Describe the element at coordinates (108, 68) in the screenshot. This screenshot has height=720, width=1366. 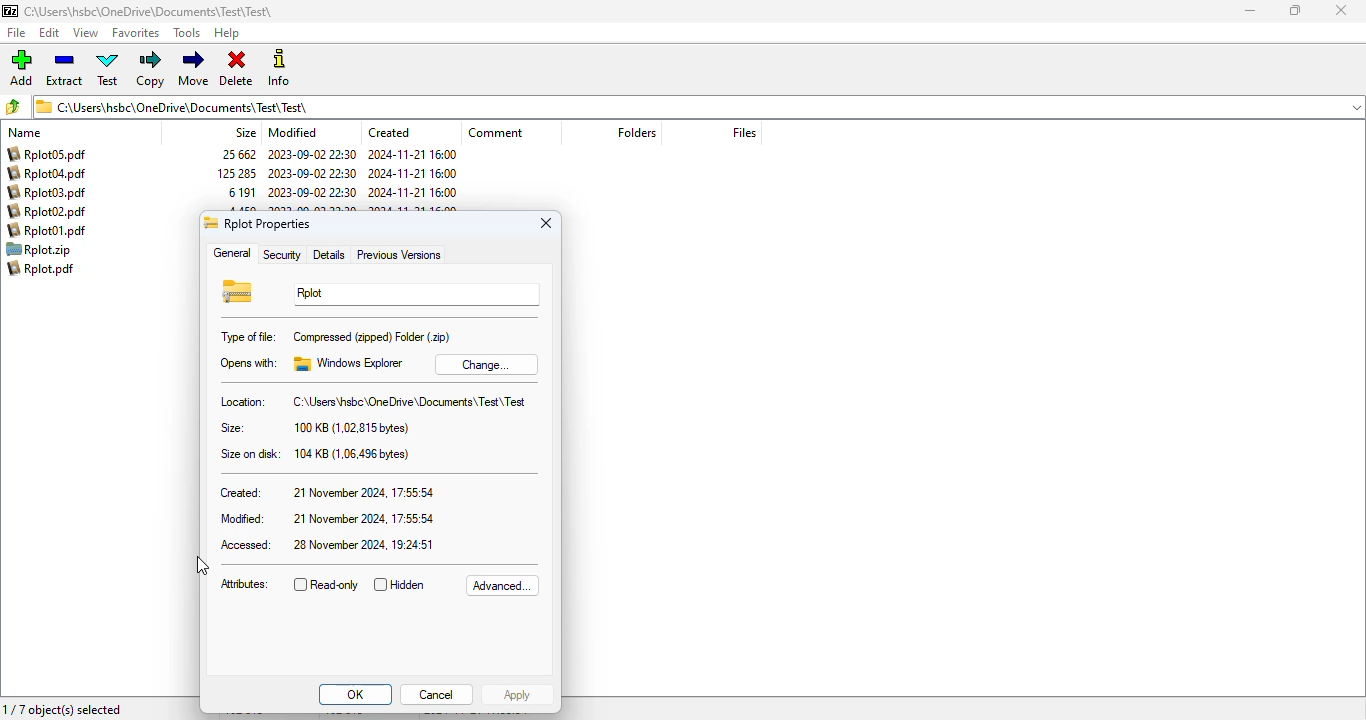
I see `test` at that location.